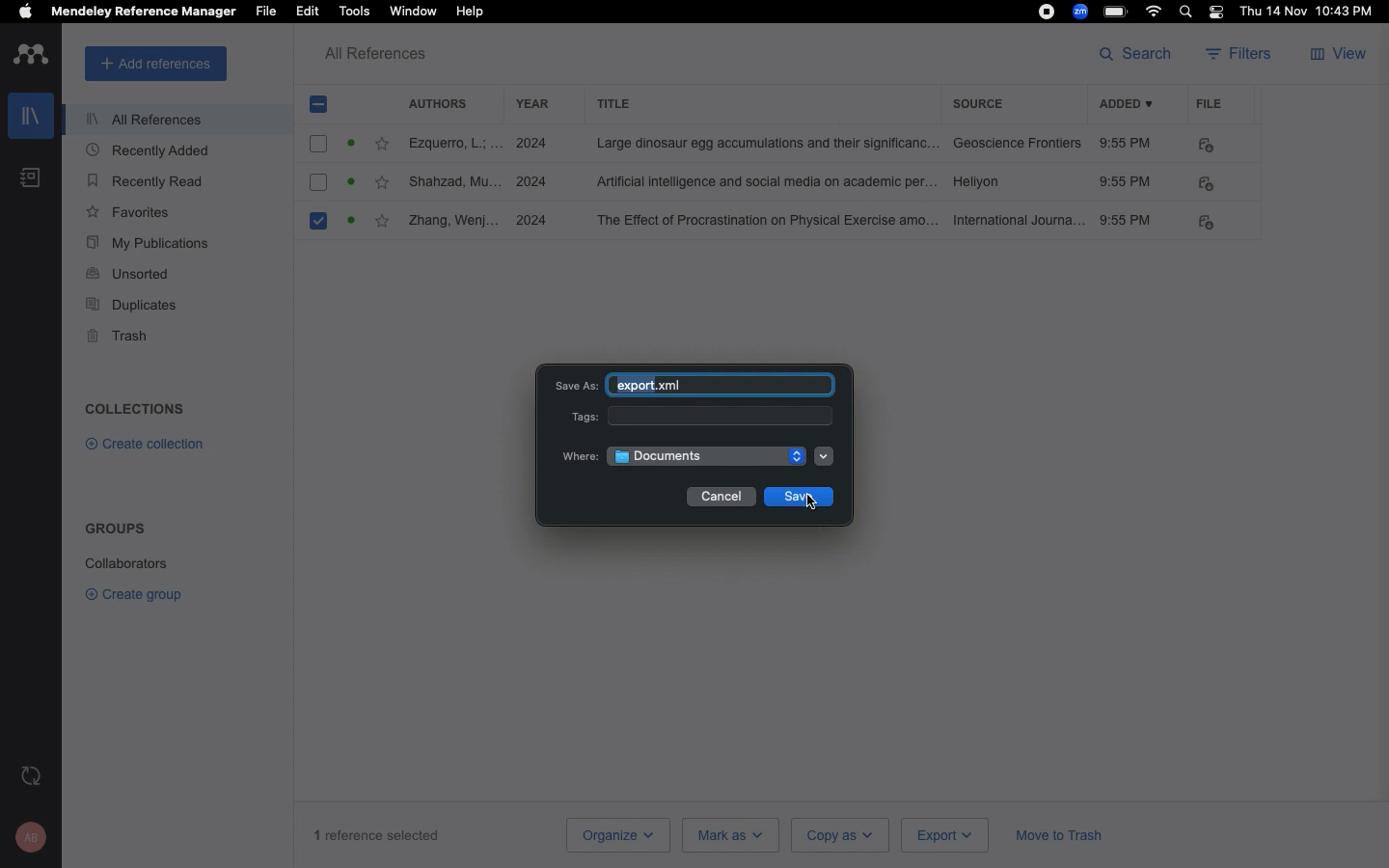 The height and width of the screenshot is (868, 1389). I want to click on artificial intelligence and social media on academic, so click(766, 179).